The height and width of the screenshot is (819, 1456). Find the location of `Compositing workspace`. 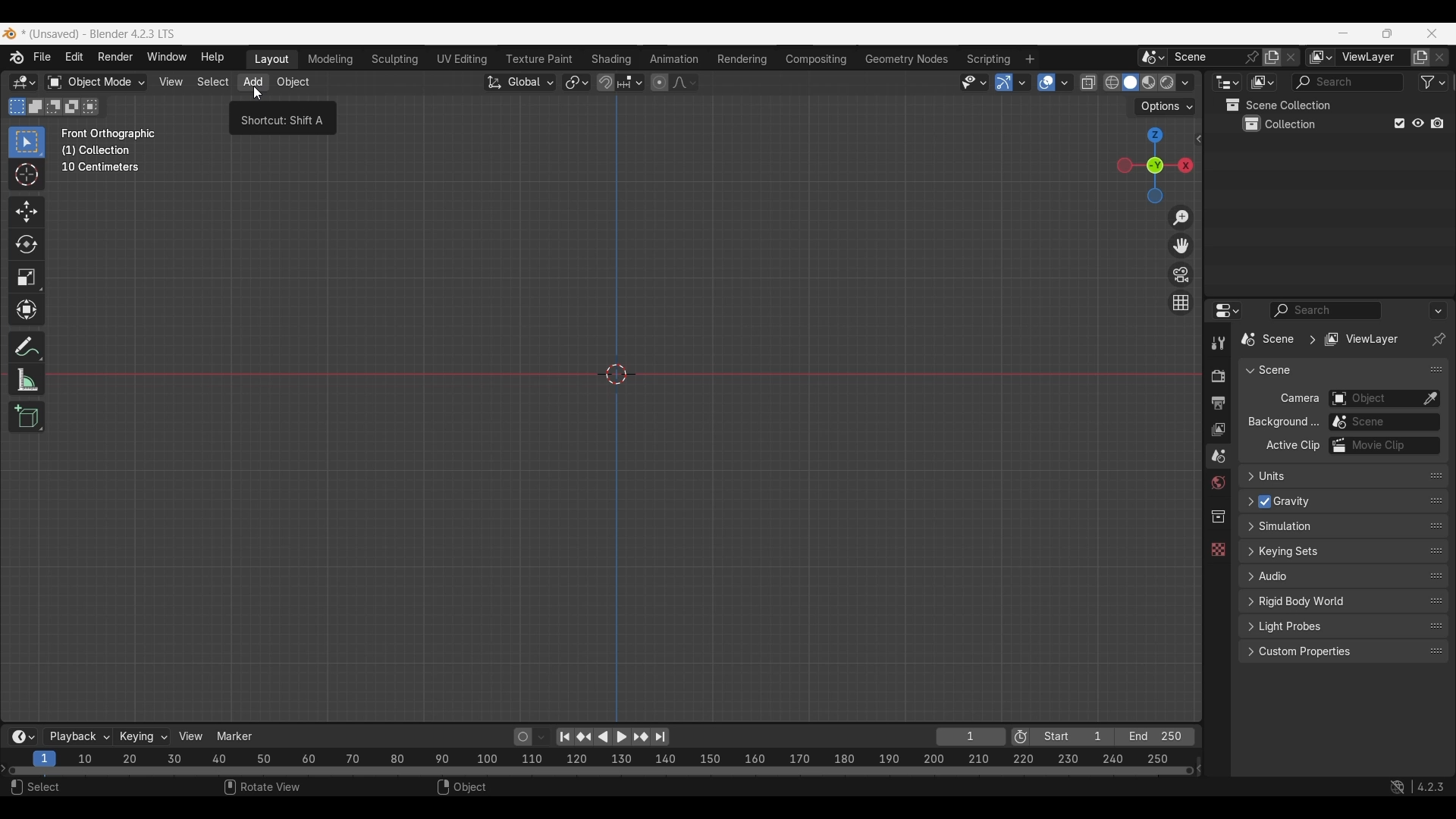

Compositing workspace is located at coordinates (817, 59).